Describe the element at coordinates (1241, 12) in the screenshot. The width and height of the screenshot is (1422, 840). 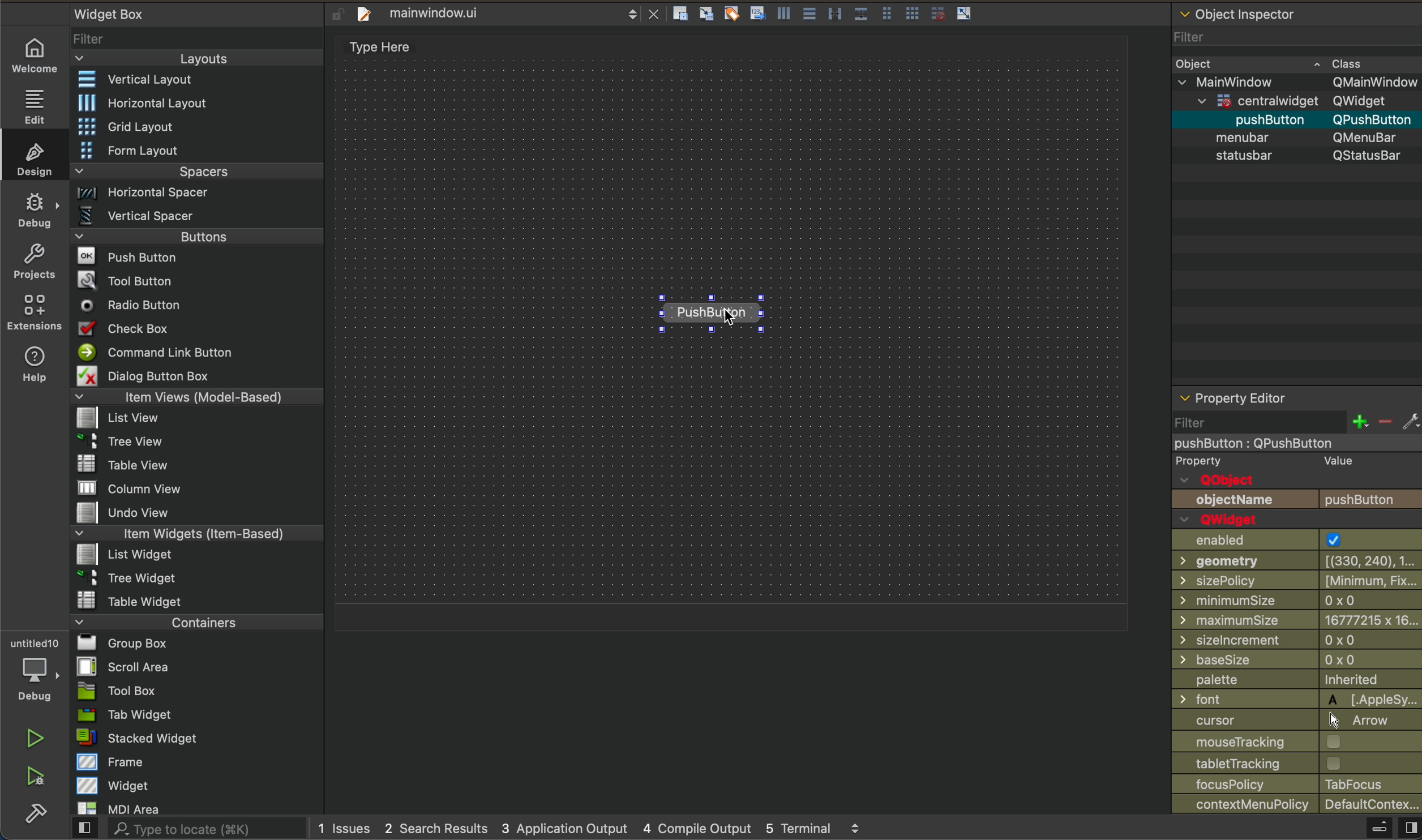
I see `Object Inspector` at that location.